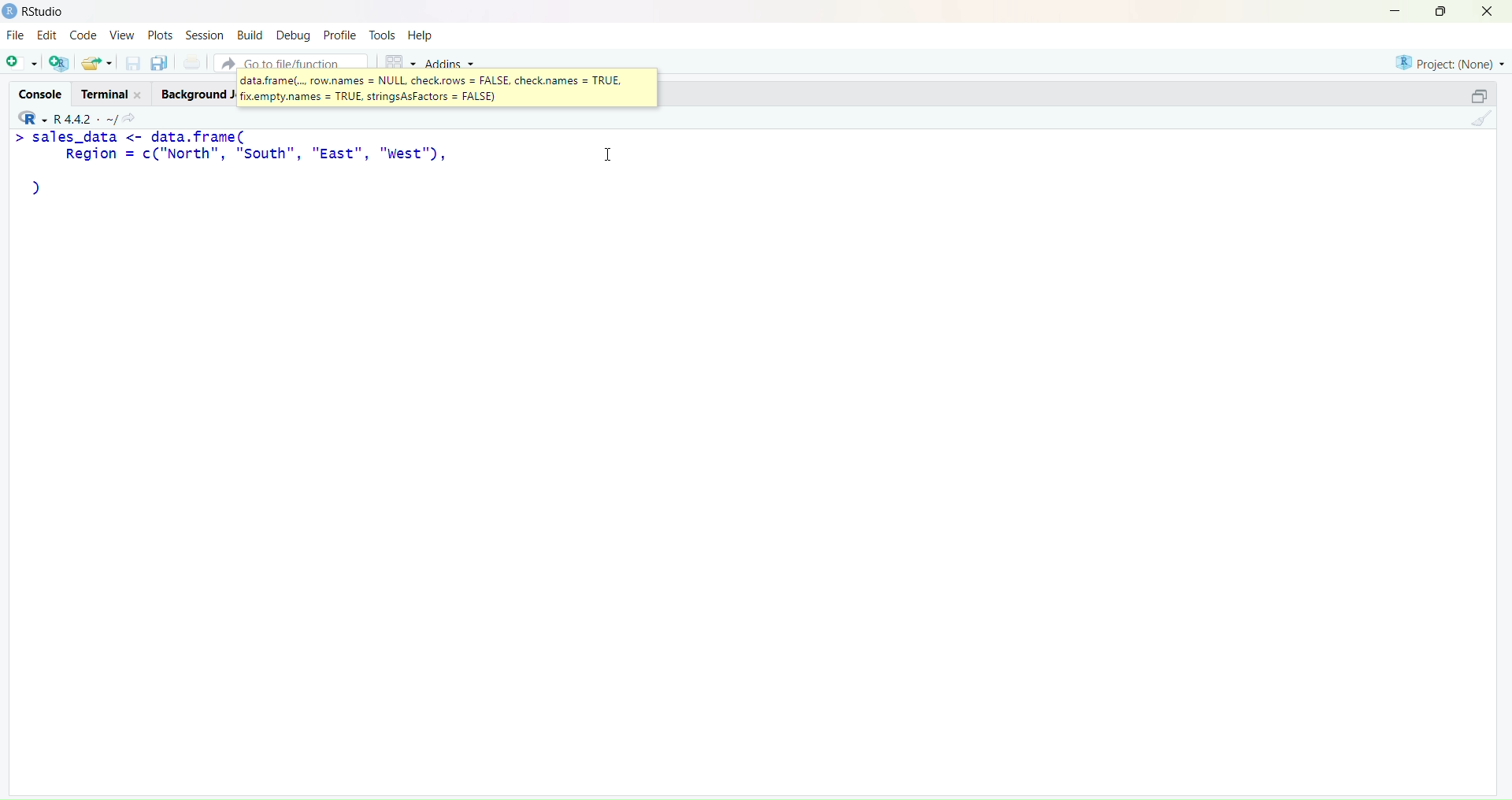 The image size is (1512, 800). I want to click on close, so click(1493, 12).